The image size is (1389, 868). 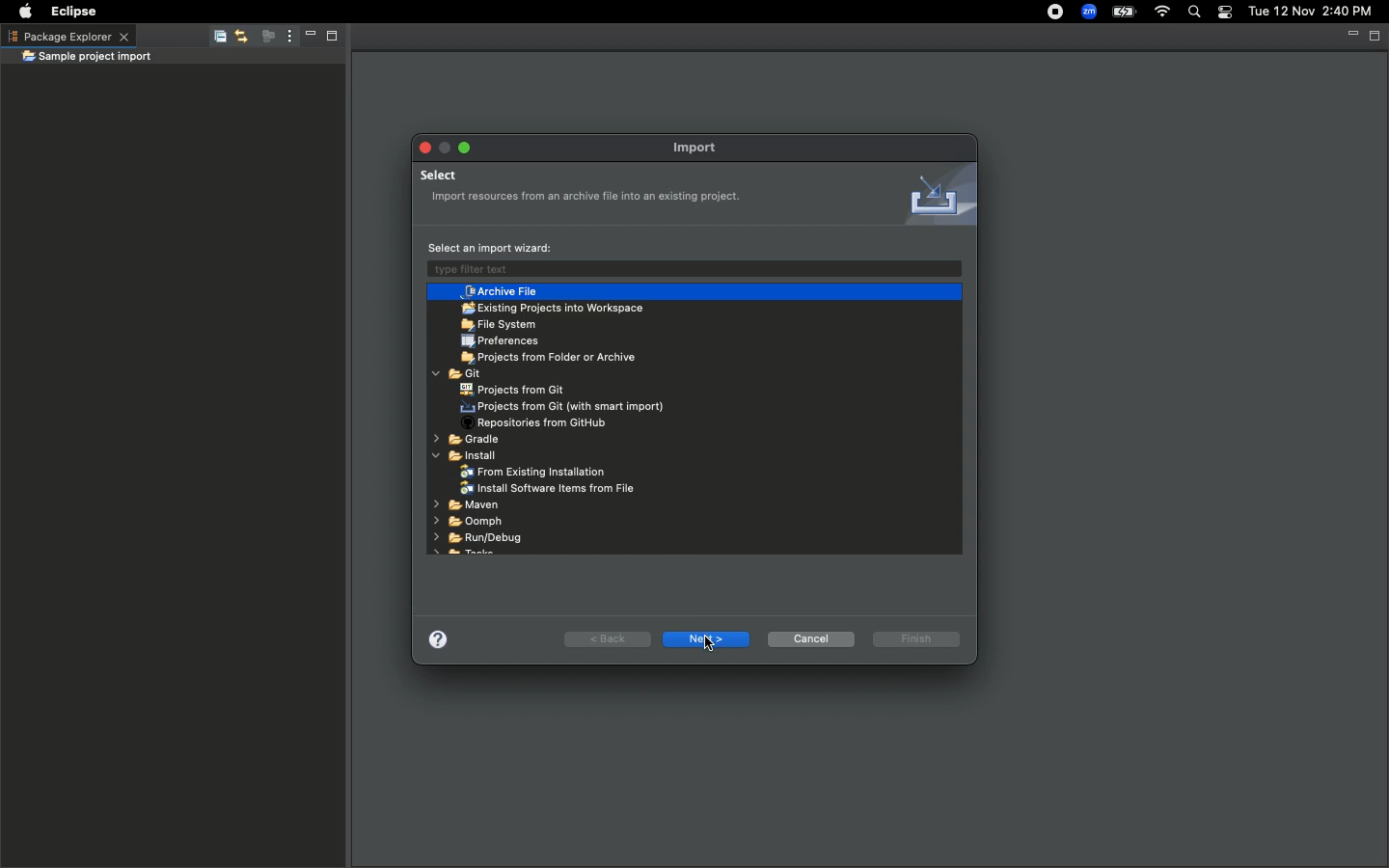 I want to click on Minimize, so click(x=445, y=147).